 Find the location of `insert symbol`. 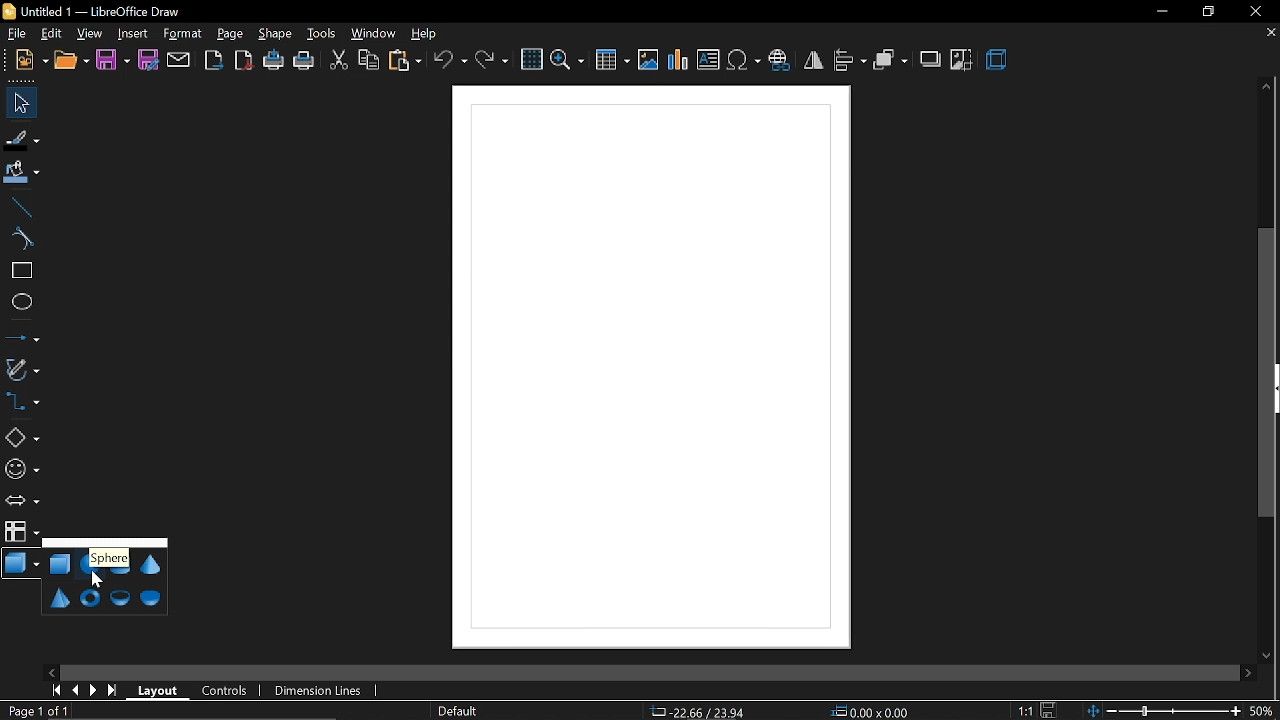

insert symbol is located at coordinates (743, 60).